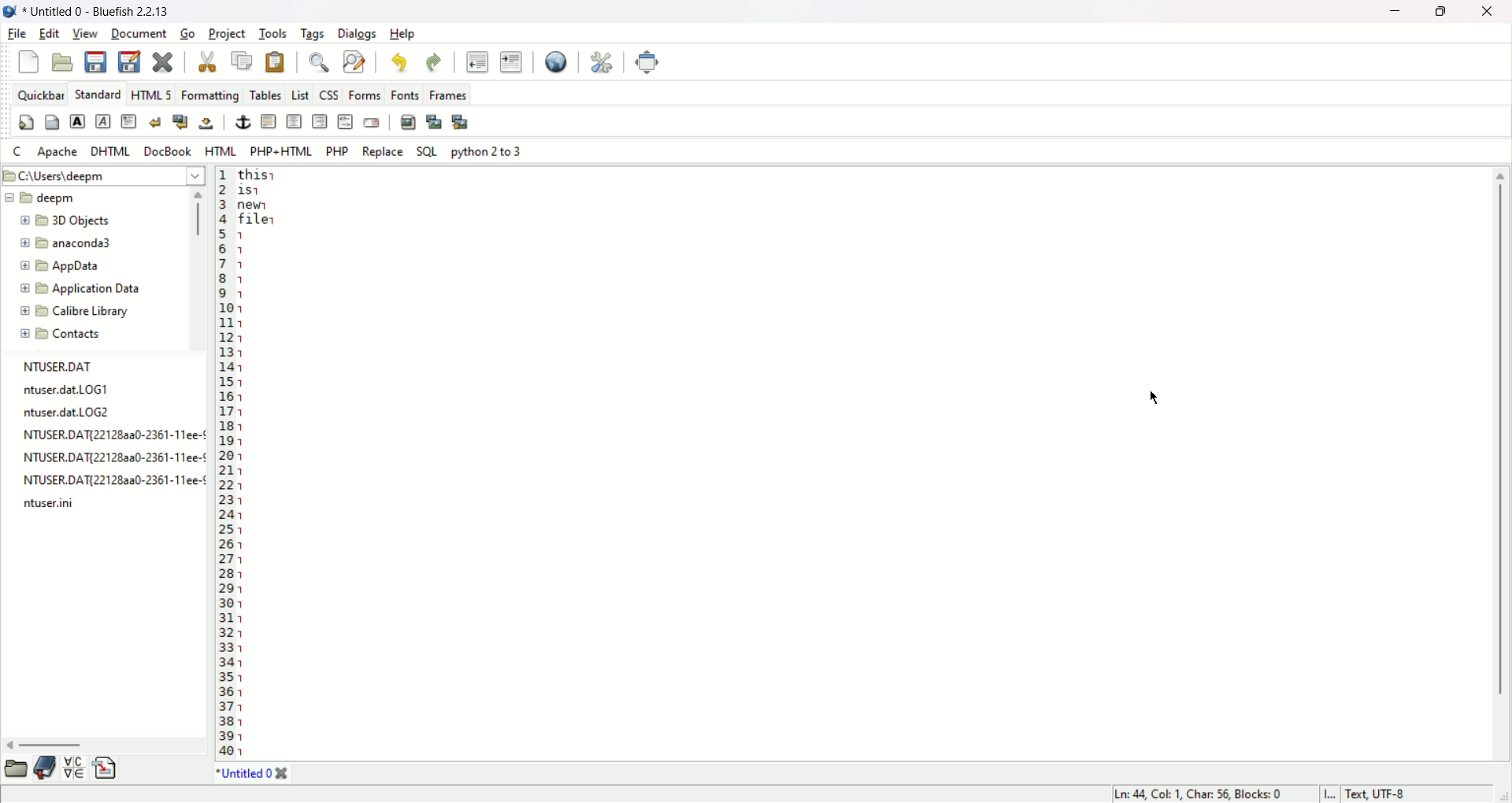  I want to click on standard, so click(97, 95).